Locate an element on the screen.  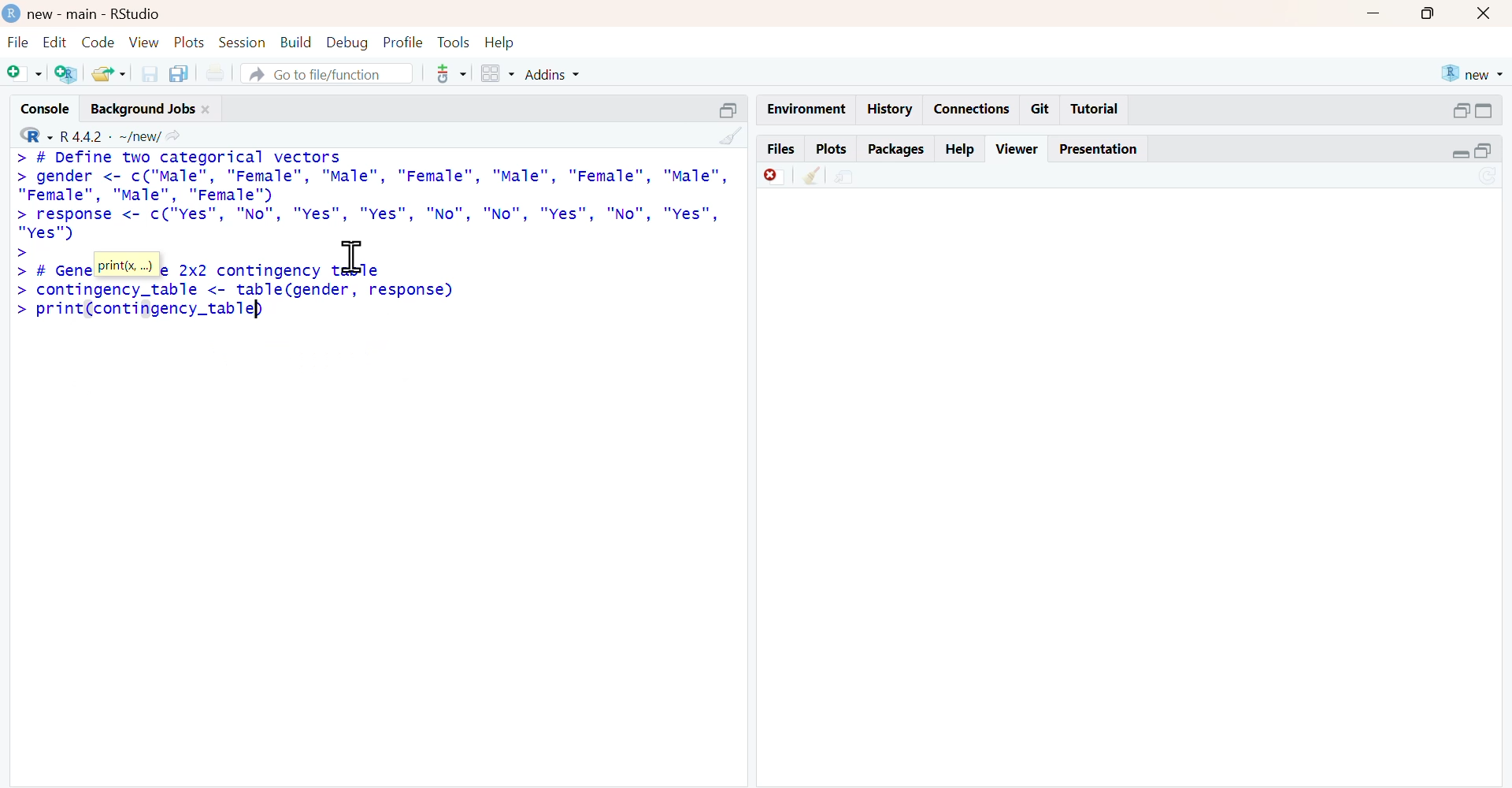
view is located at coordinates (145, 42).